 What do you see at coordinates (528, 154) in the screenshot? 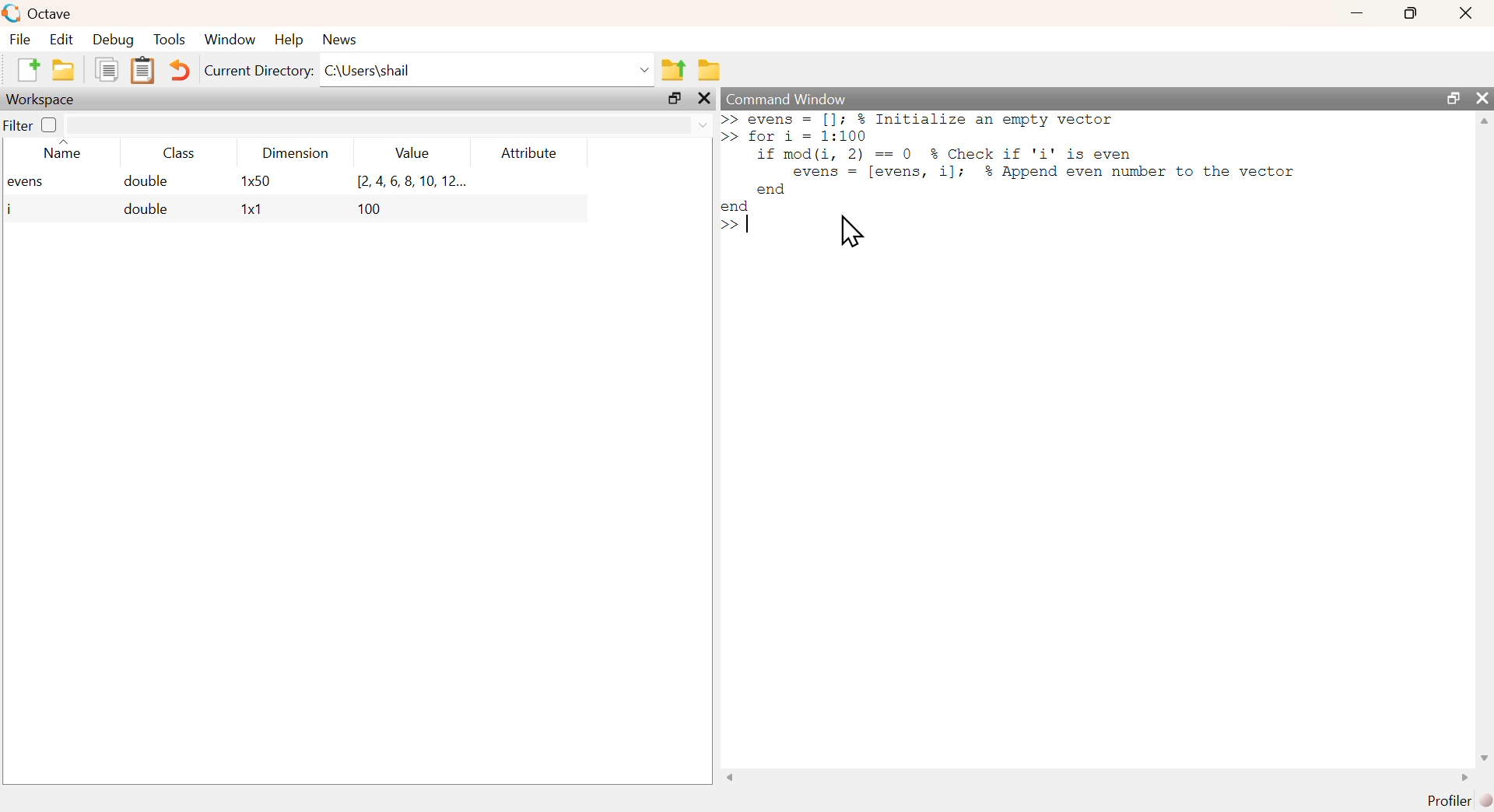
I see `attribute` at bounding box center [528, 154].